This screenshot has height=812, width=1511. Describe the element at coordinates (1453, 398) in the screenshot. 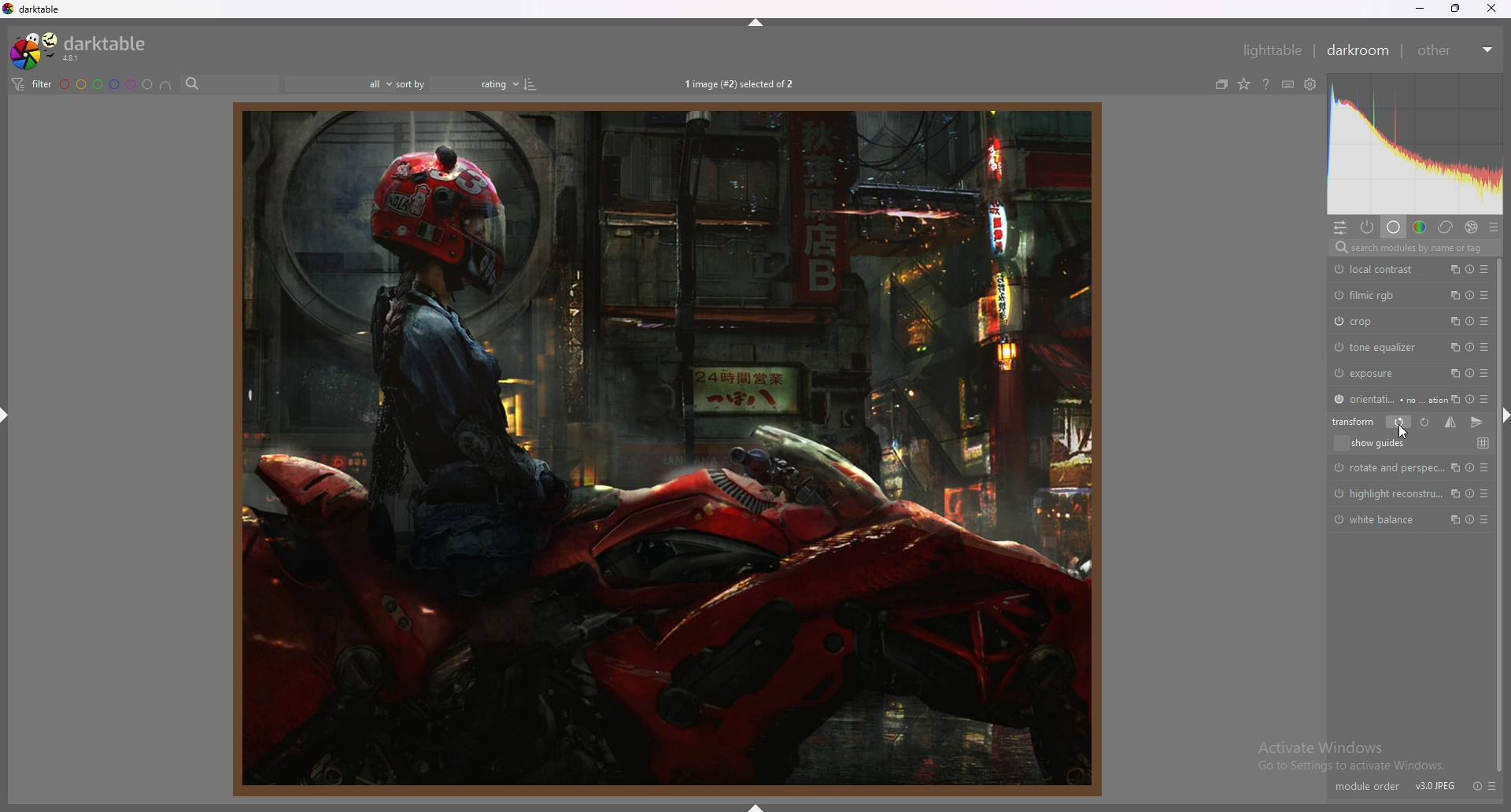

I see `multiple instances action` at that location.